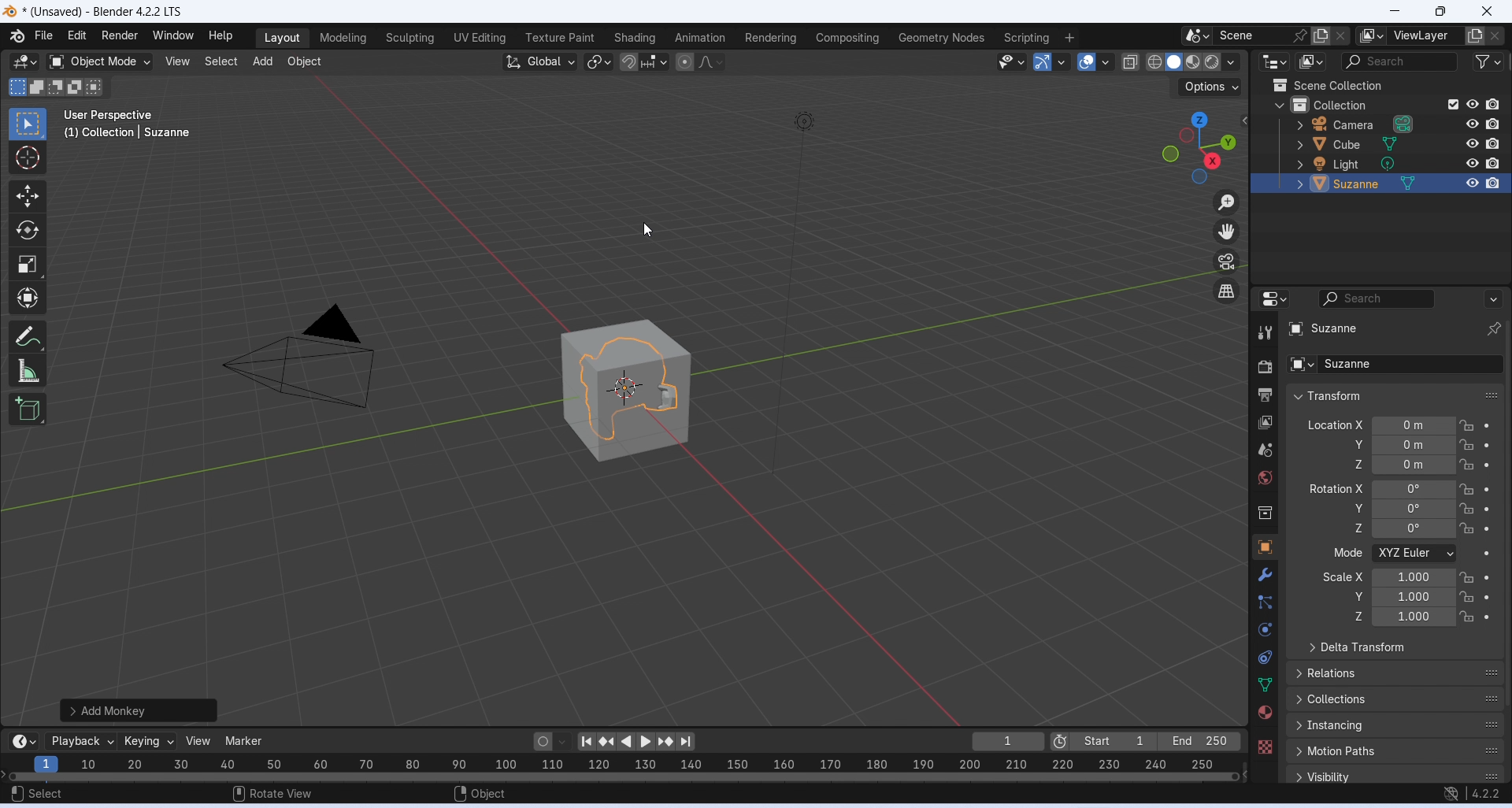 The width and height of the screenshot is (1512, 808). Describe the element at coordinates (1414, 465) in the screenshot. I see `location` at that location.